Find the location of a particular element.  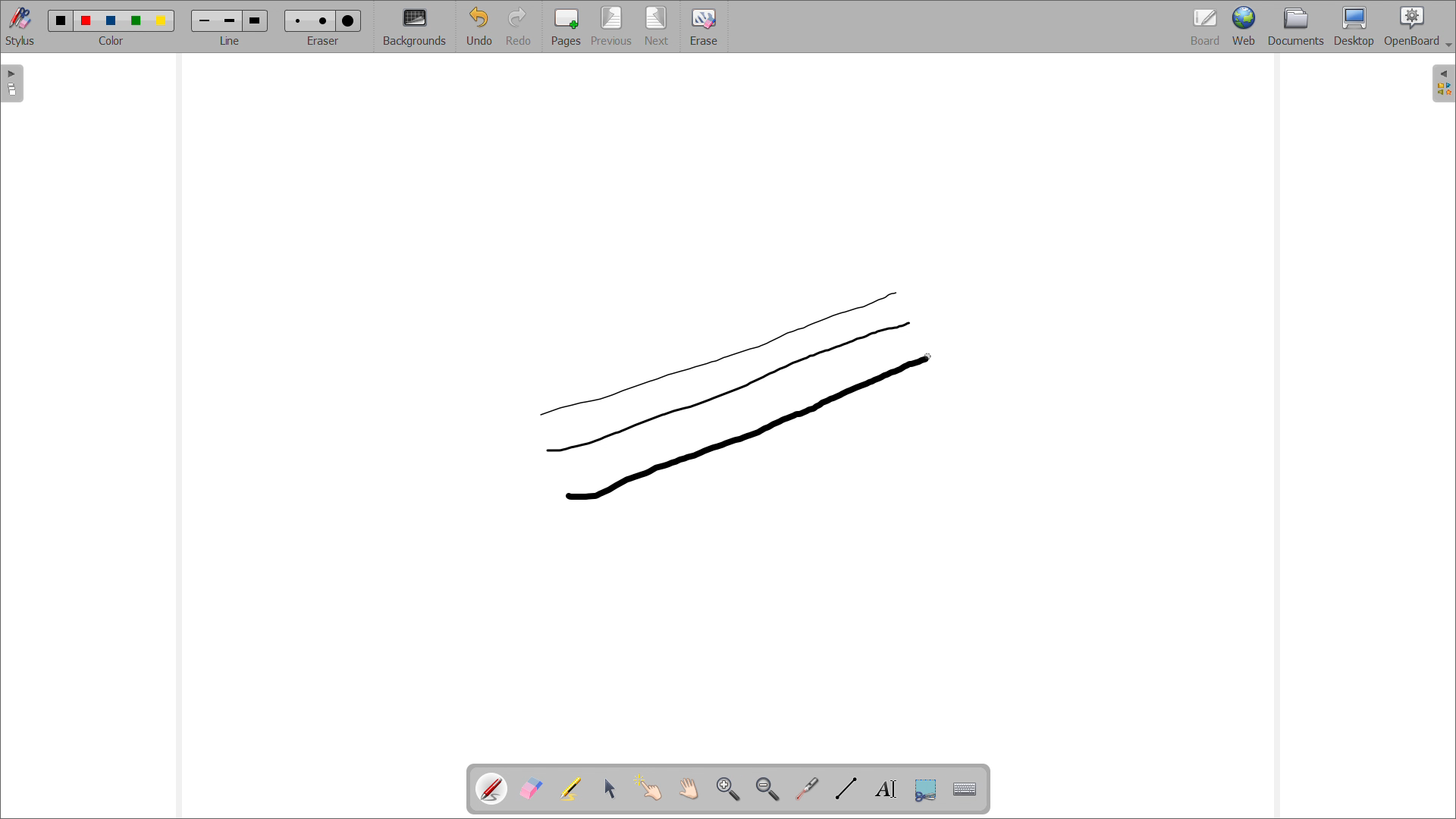

toggle stylus is located at coordinates (20, 26).